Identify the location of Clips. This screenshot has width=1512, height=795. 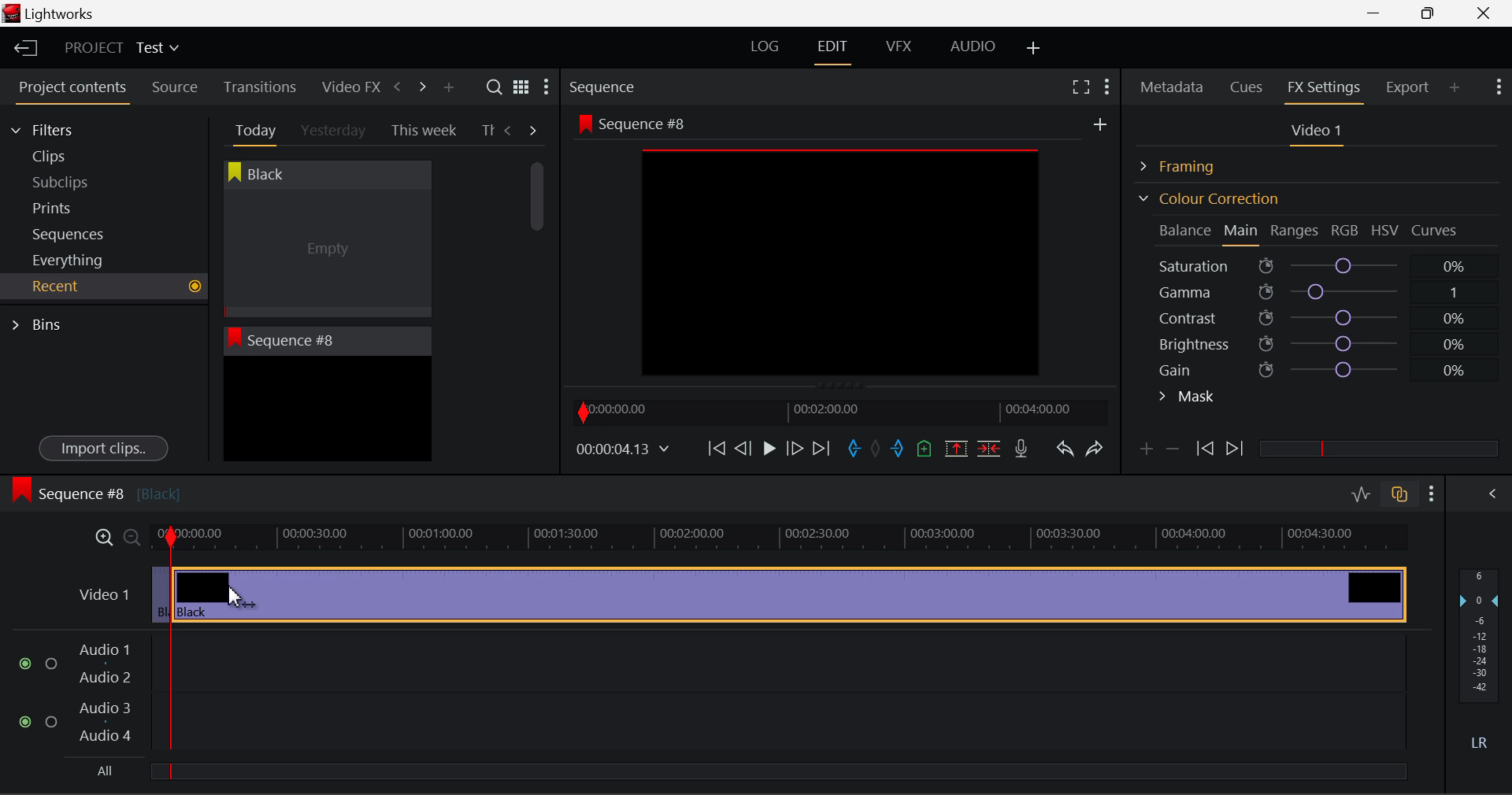
(77, 156).